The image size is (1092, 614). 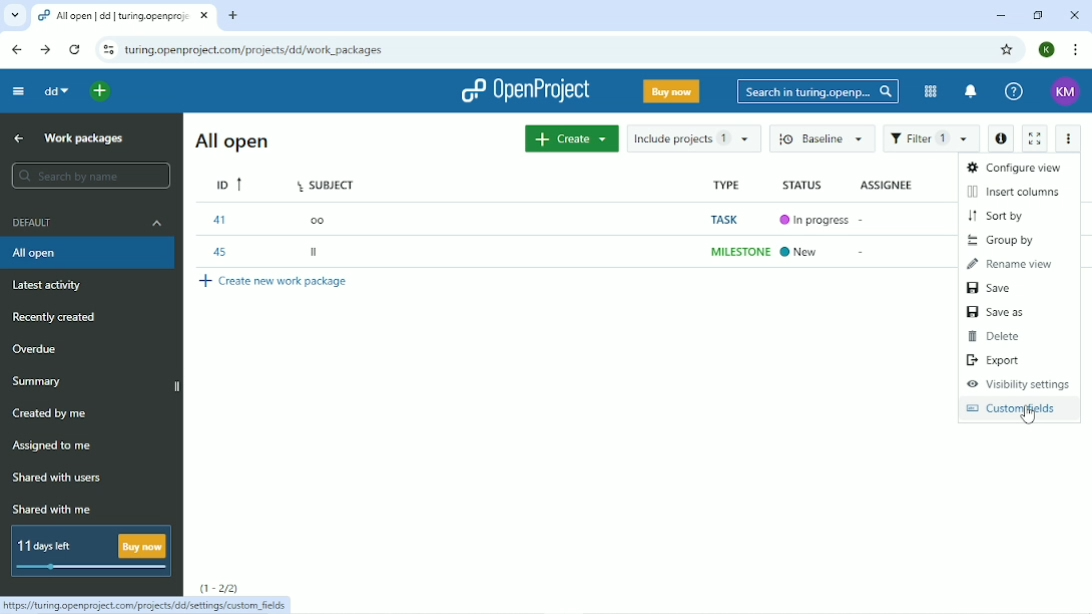 I want to click on Baseline, so click(x=820, y=137).